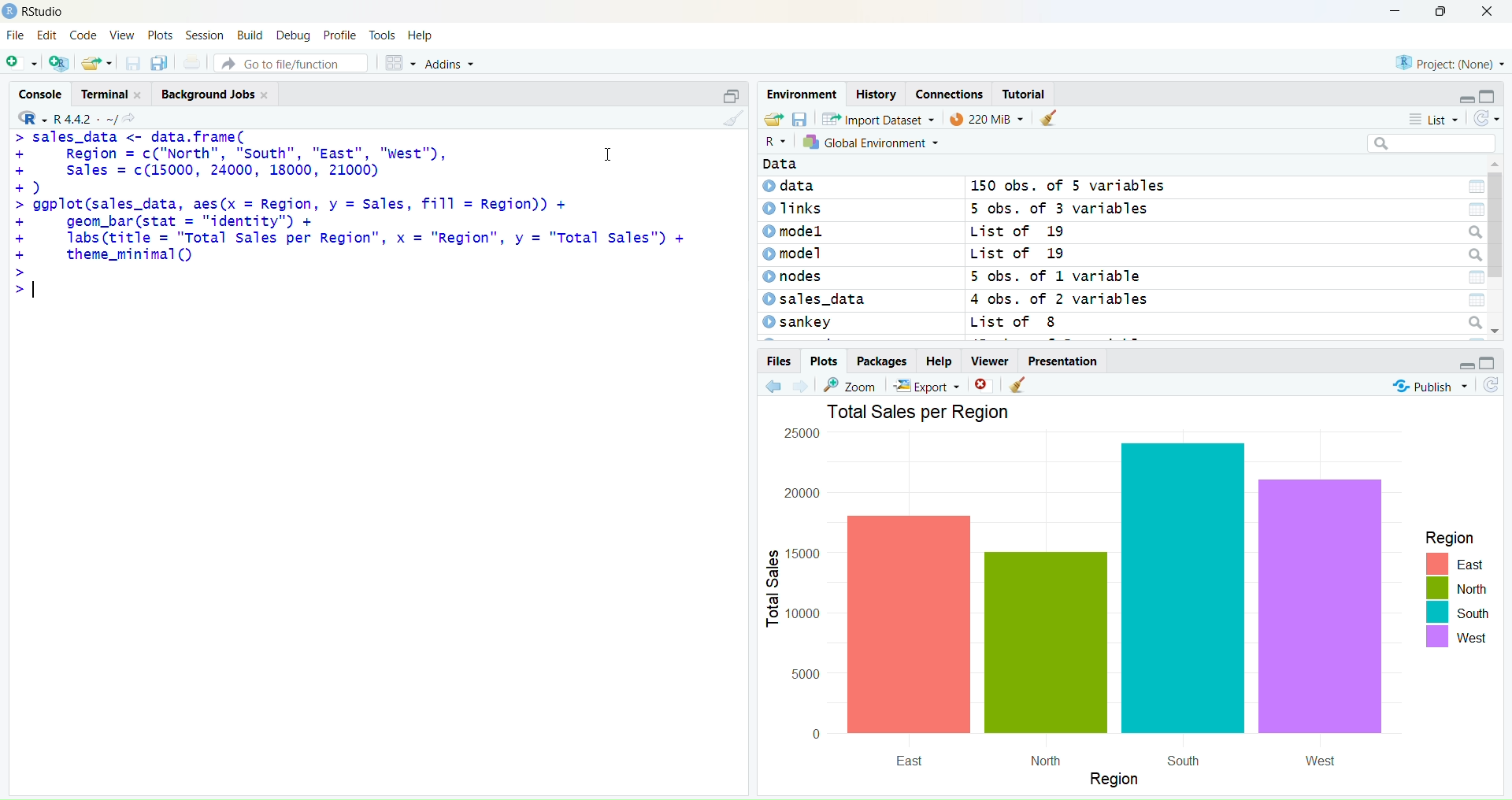 The width and height of the screenshot is (1512, 800). Describe the element at coordinates (1071, 611) in the screenshot. I see `bar graph` at that location.